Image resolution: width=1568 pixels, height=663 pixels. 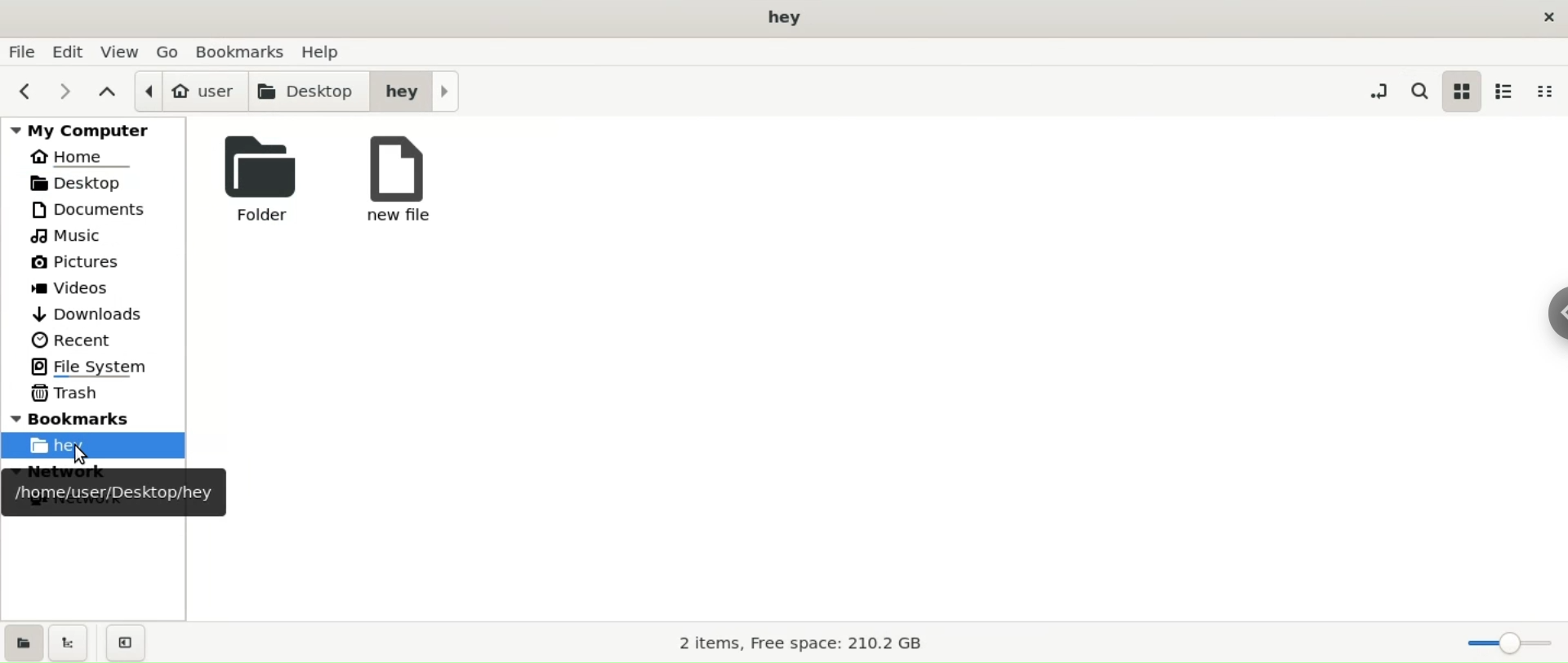 What do you see at coordinates (327, 51) in the screenshot?
I see `help` at bounding box center [327, 51].